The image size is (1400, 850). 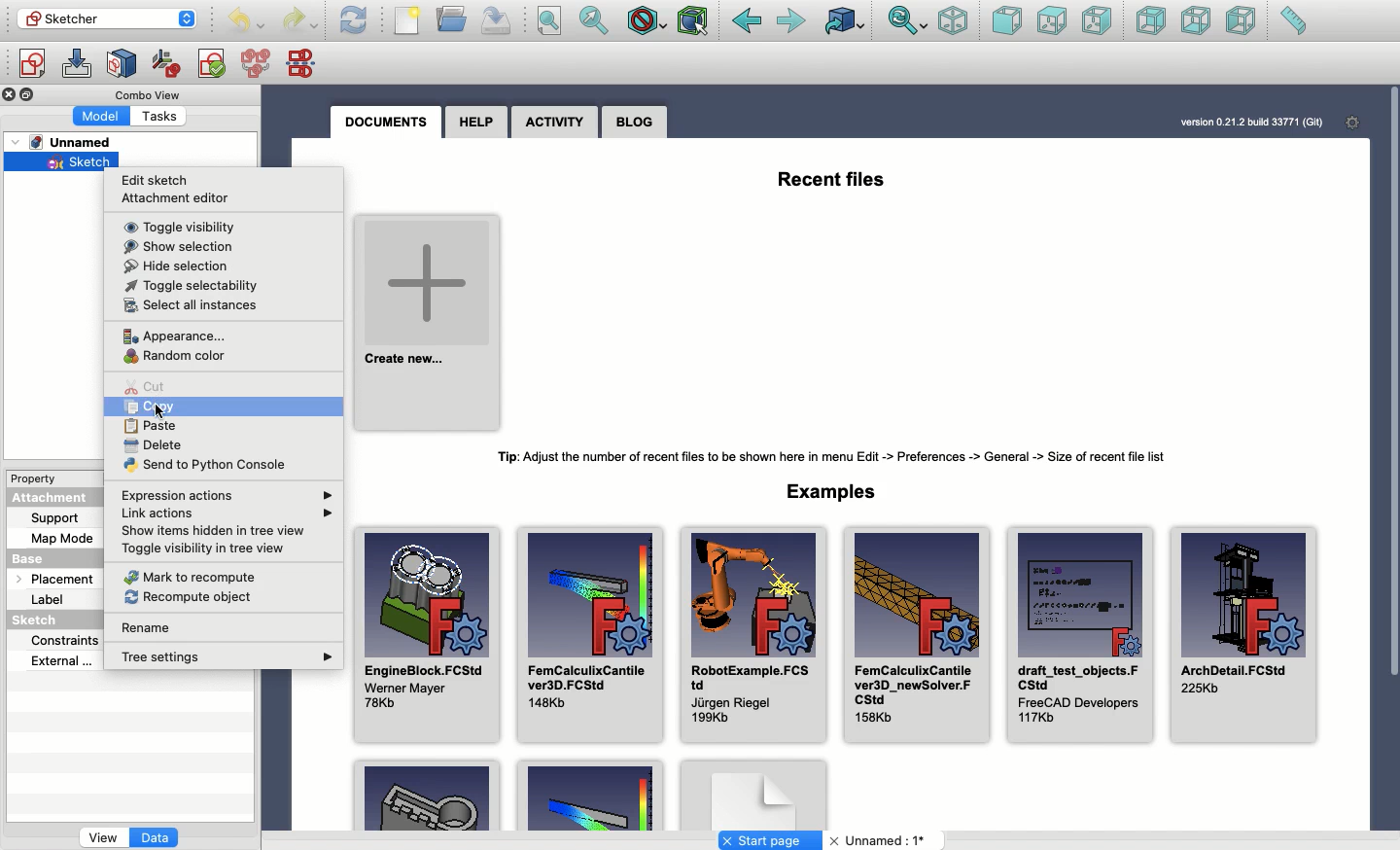 What do you see at coordinates (212, 67) in the screenshot?
I see `Validate sketch` at bounding box center [212, 67].